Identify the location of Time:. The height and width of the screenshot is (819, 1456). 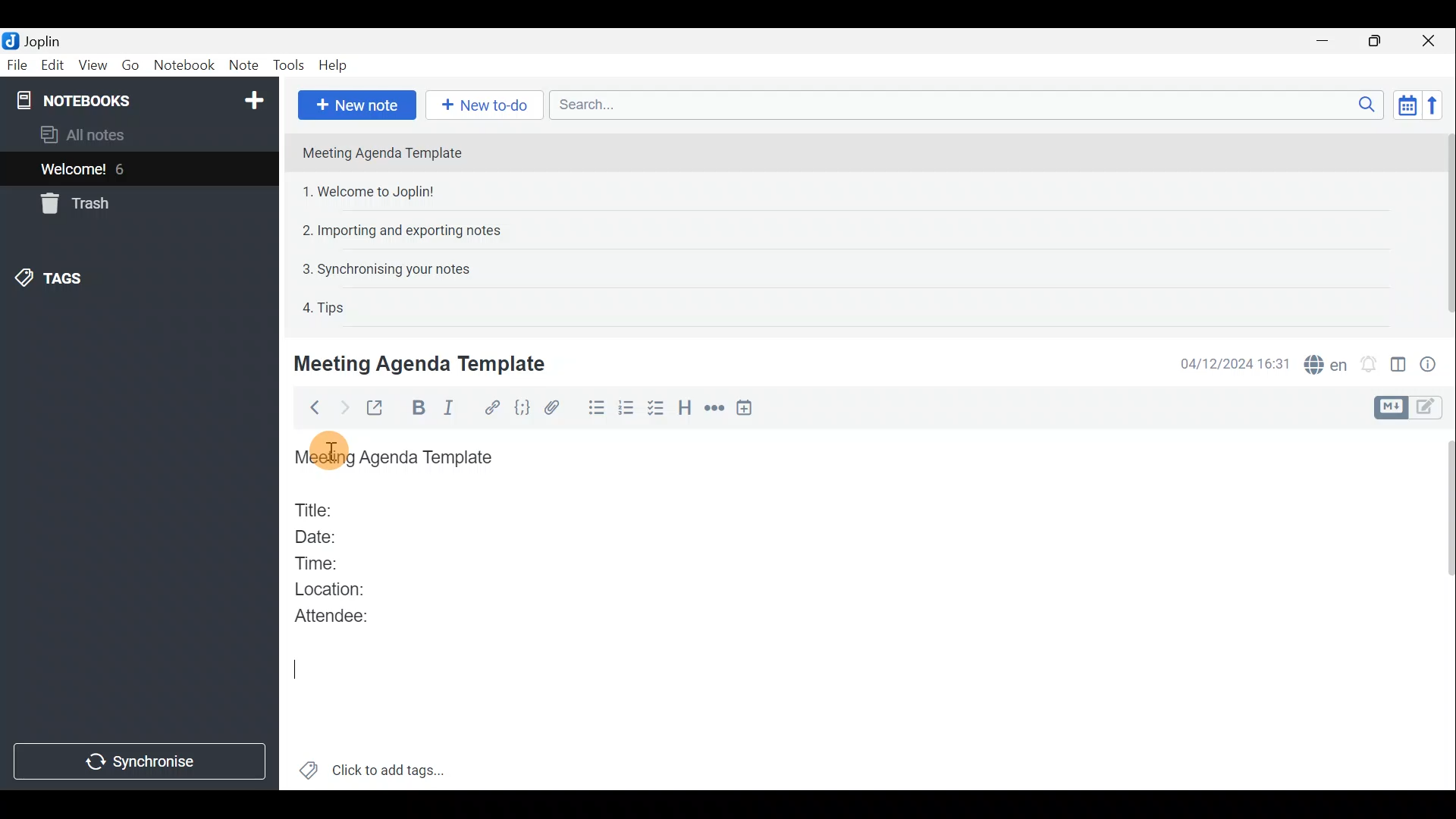
(317, 560).